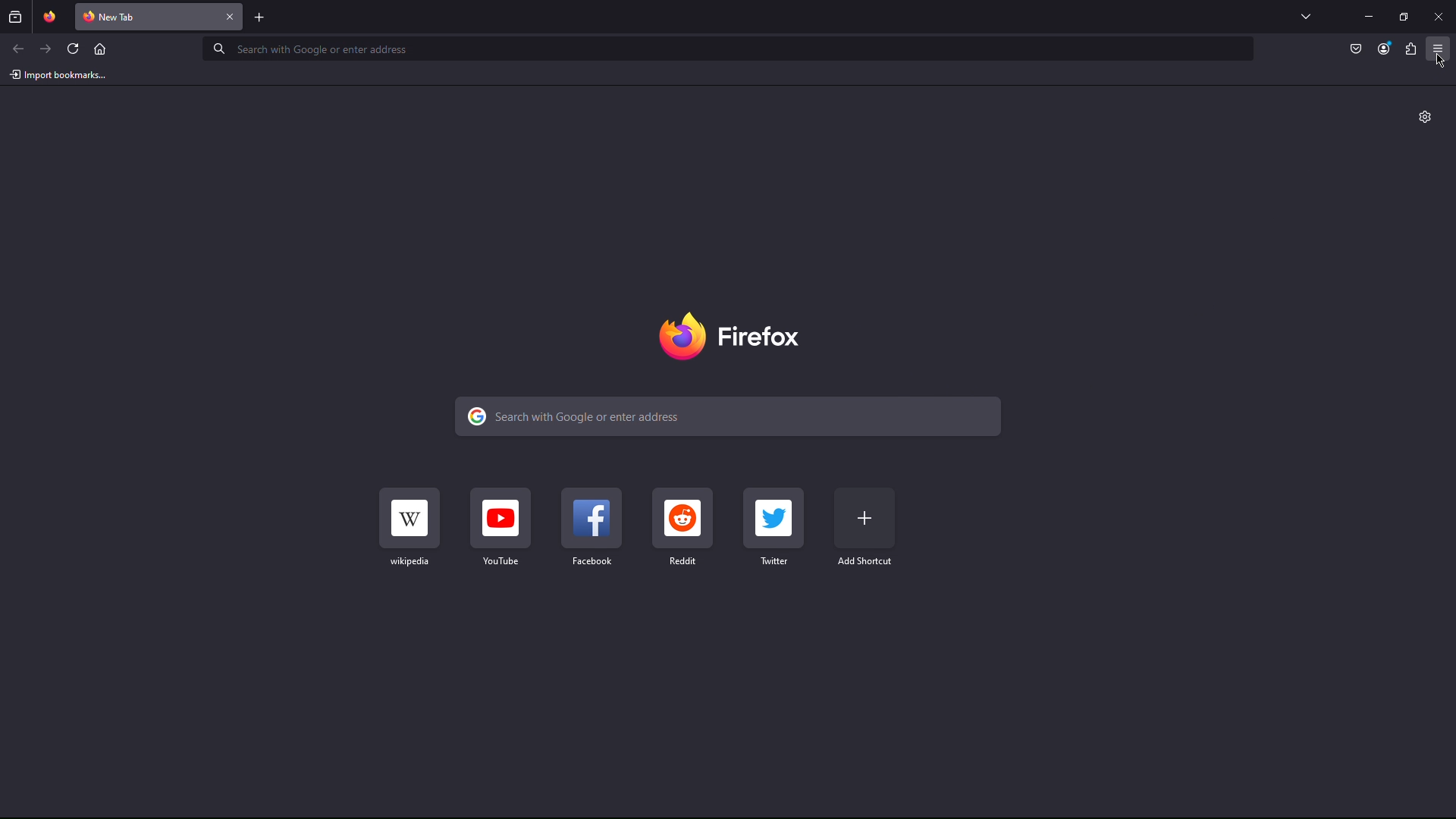 Image resolution: width=1456 pixels, height=819 pixels. I want to click on Maximize, so click(1404, 16).